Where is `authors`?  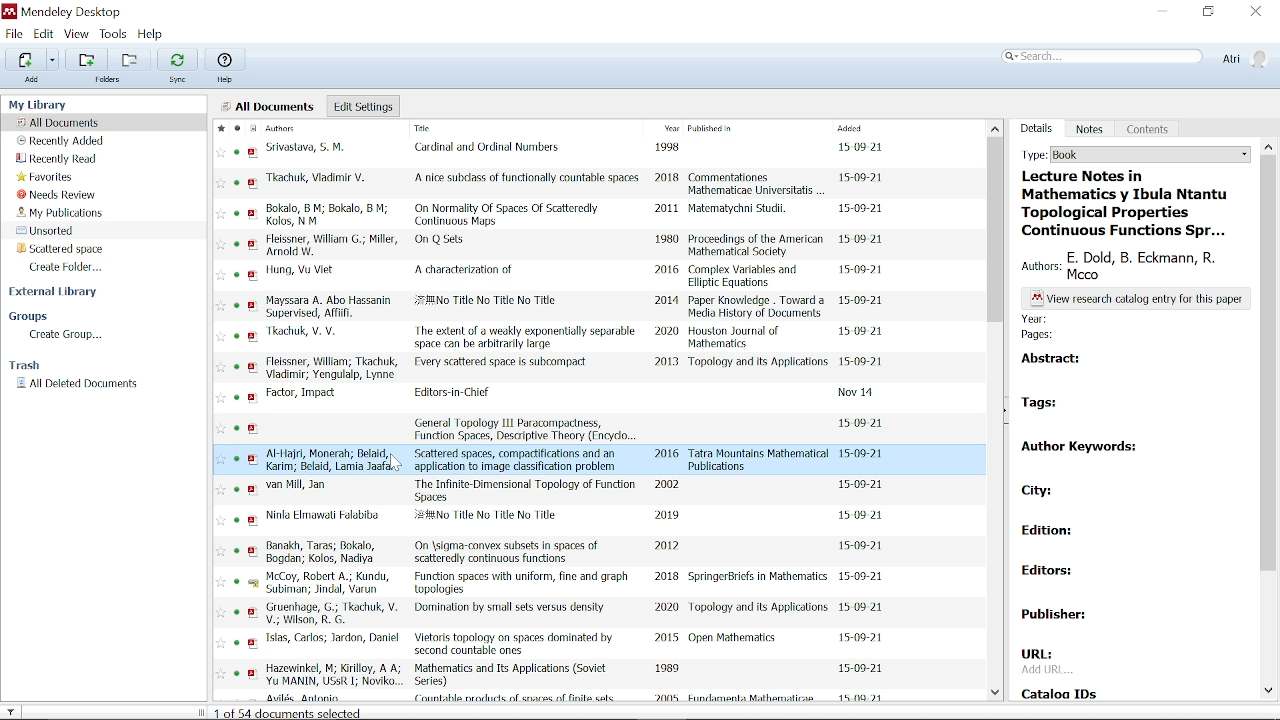
authors is located at coordinates (329, 215).